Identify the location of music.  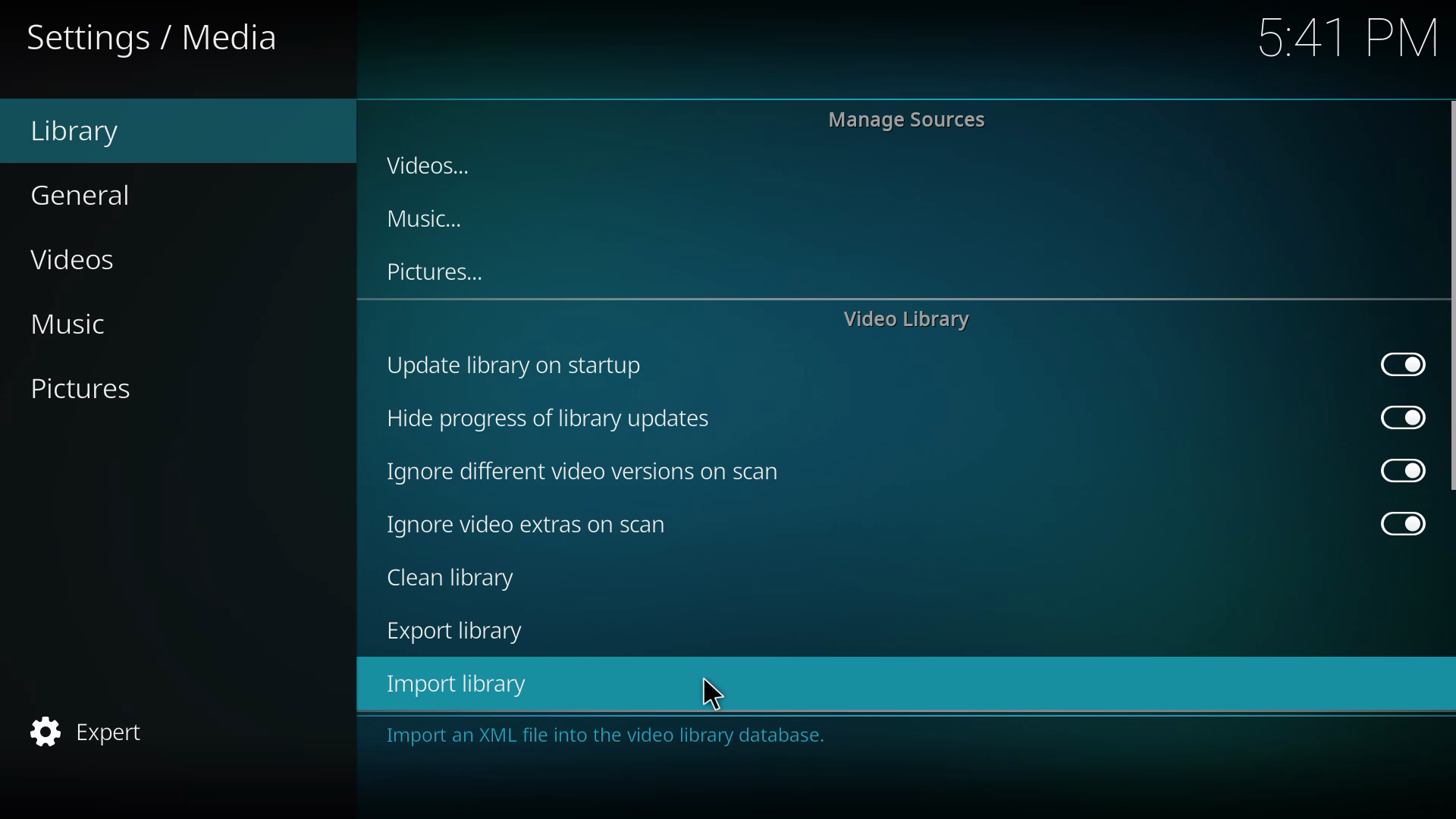
(67, 325).